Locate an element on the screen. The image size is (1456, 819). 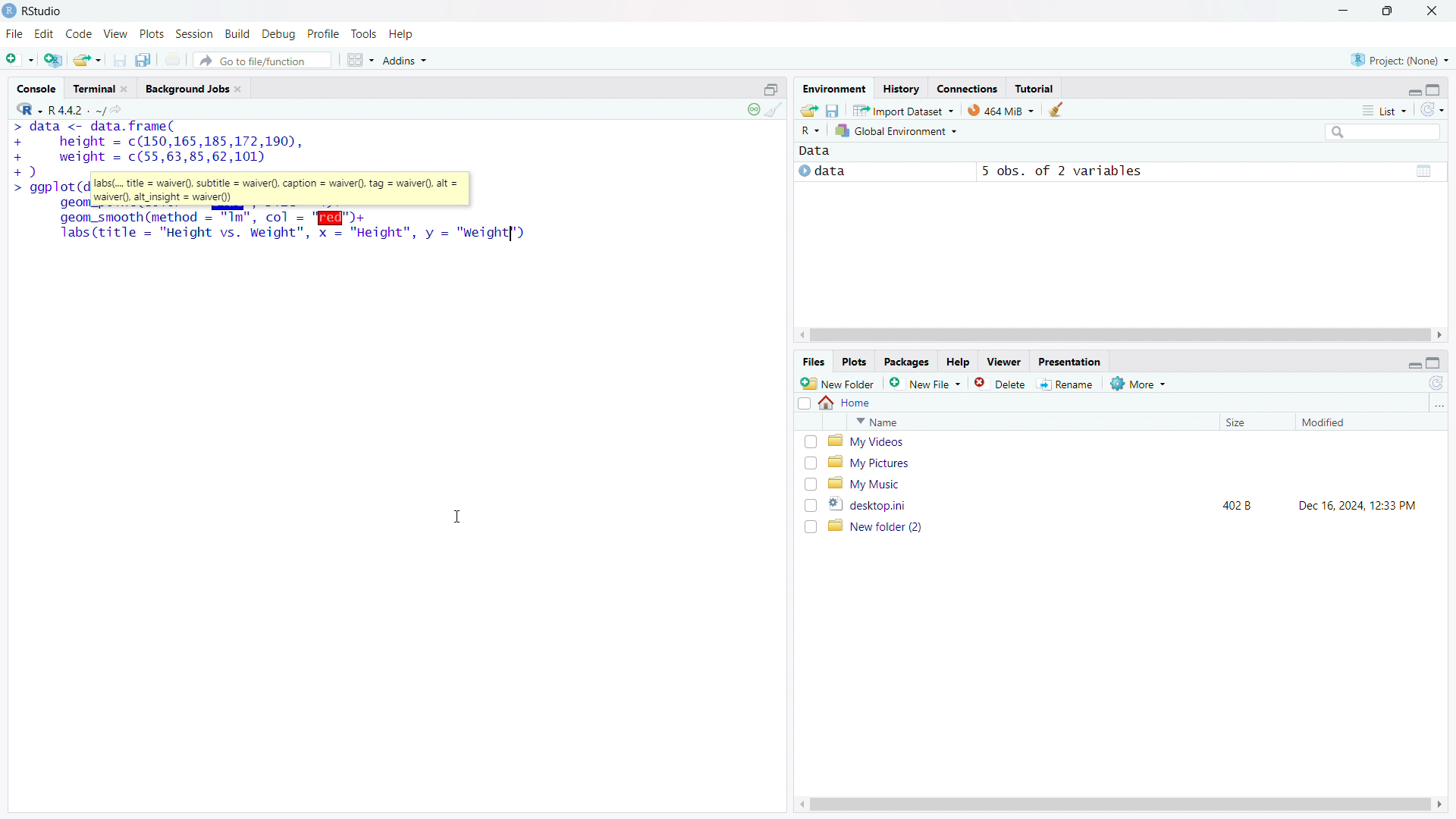
expand pane is located at coordinates (1436, 363).